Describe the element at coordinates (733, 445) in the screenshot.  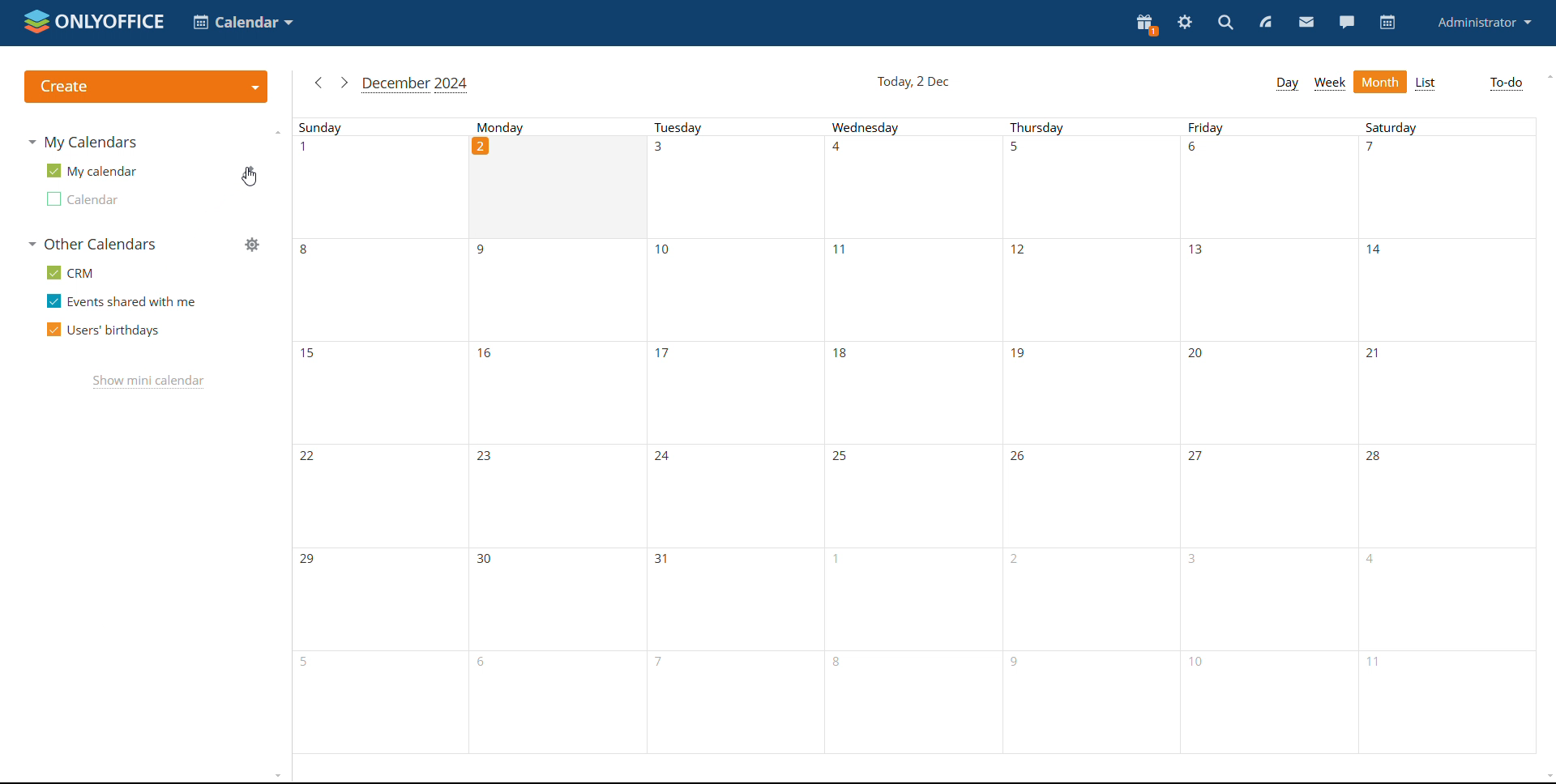
I see `tuesday` at that location.